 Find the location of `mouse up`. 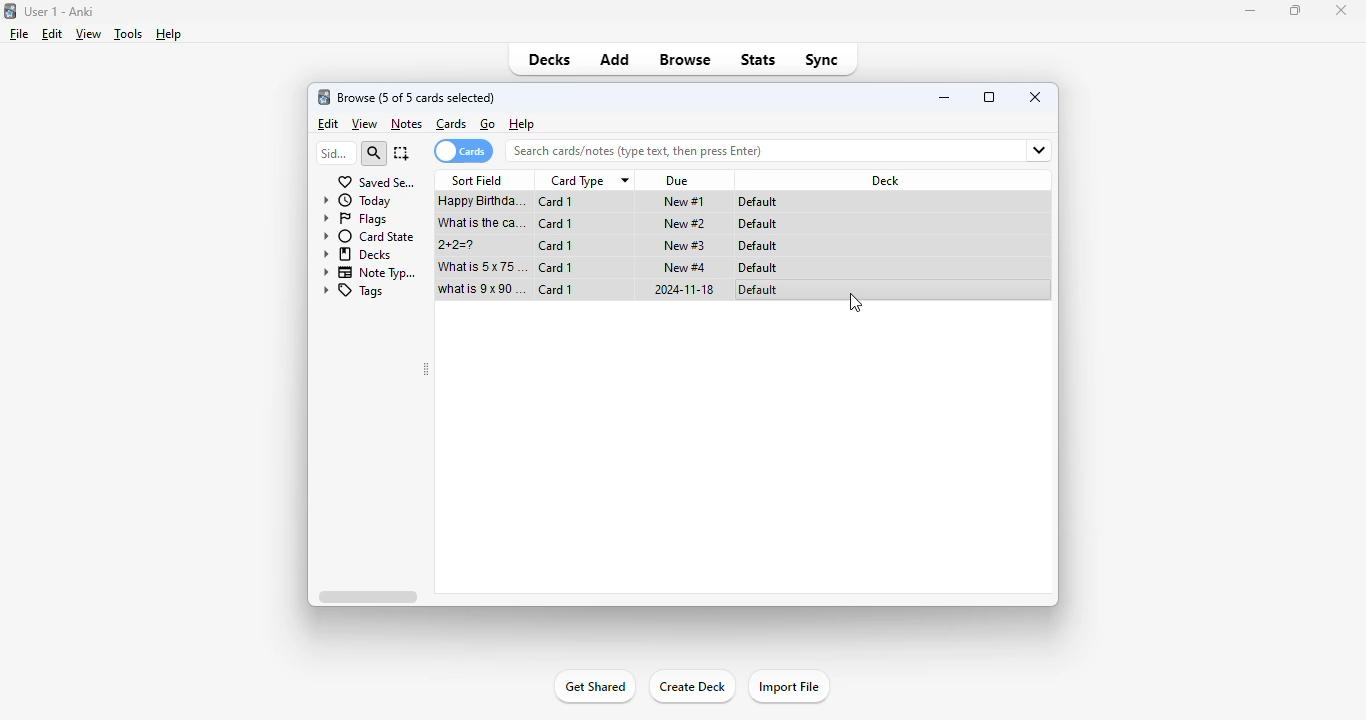

mouse up is located at coordinates (855, 303).